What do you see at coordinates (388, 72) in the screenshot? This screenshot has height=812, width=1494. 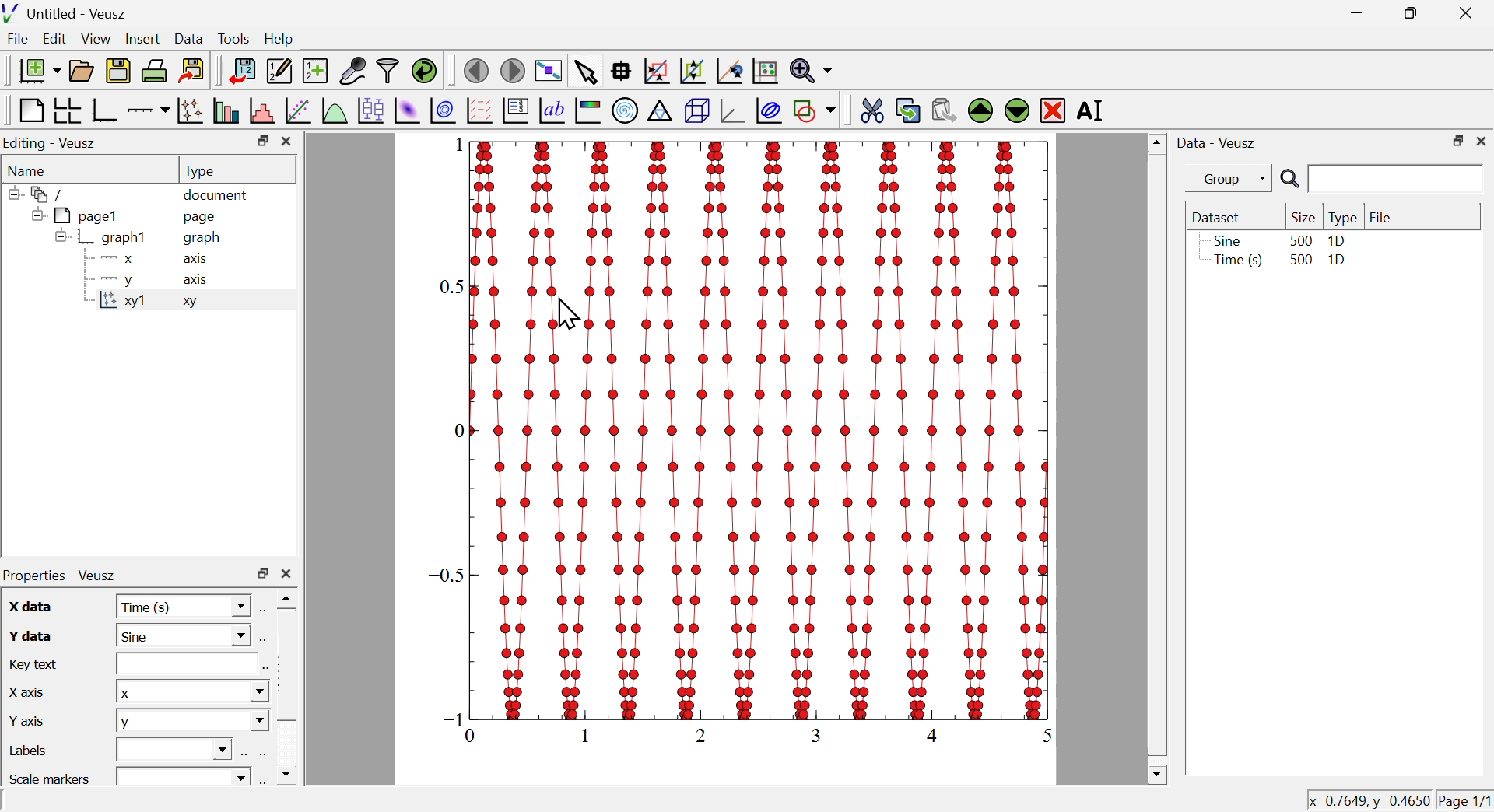 I see `filter data` at bounding box center [388, 72].